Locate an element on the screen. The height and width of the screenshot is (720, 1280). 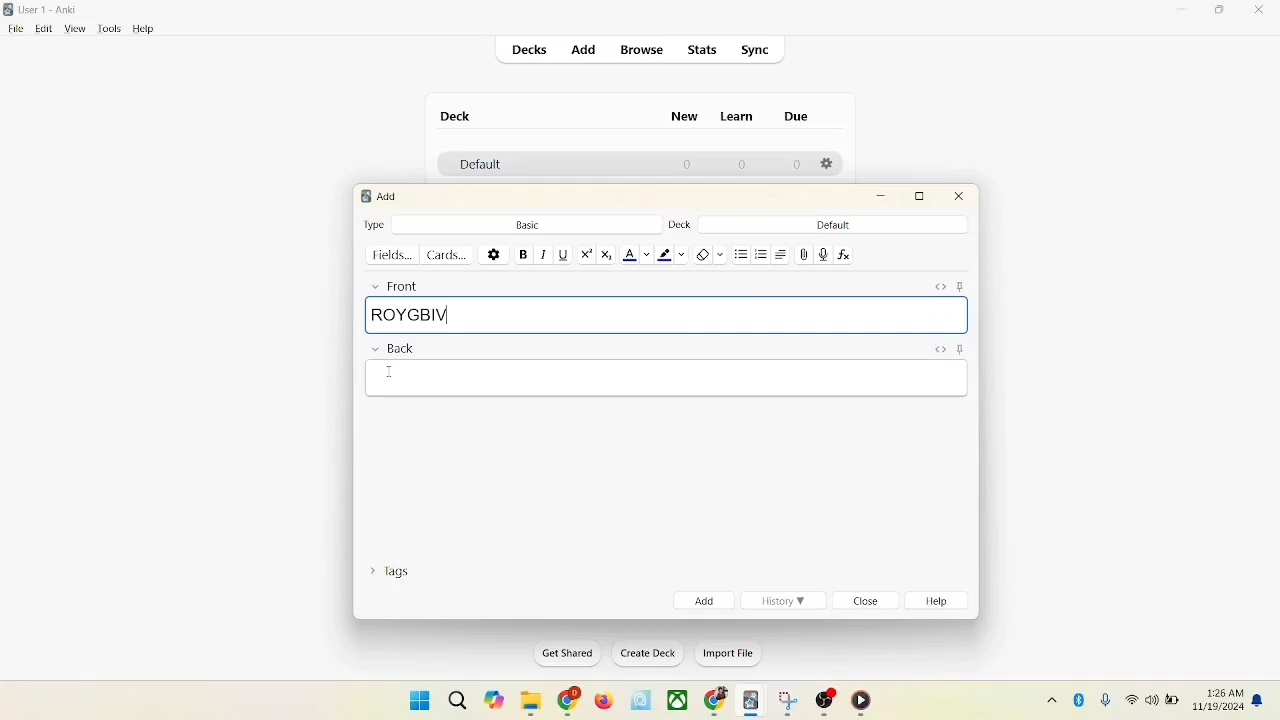
add is located at coordinates (702, 600).